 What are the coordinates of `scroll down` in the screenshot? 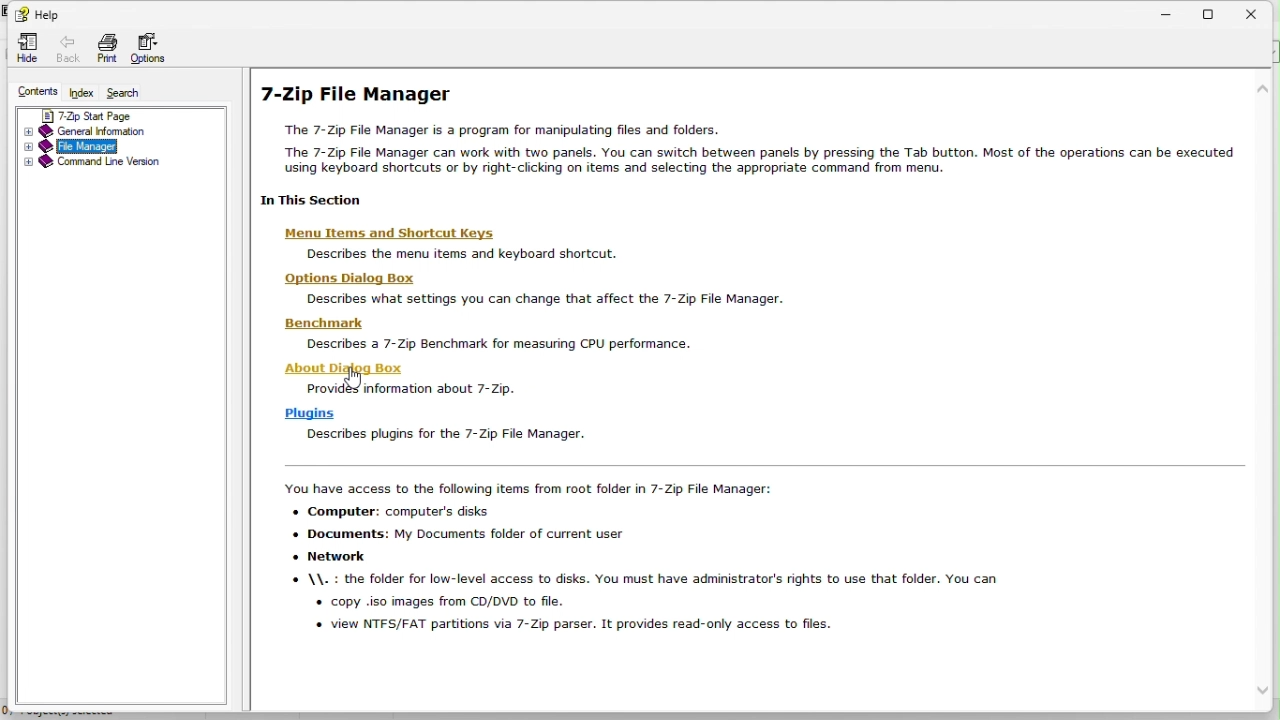 It's located at (1266, 691).